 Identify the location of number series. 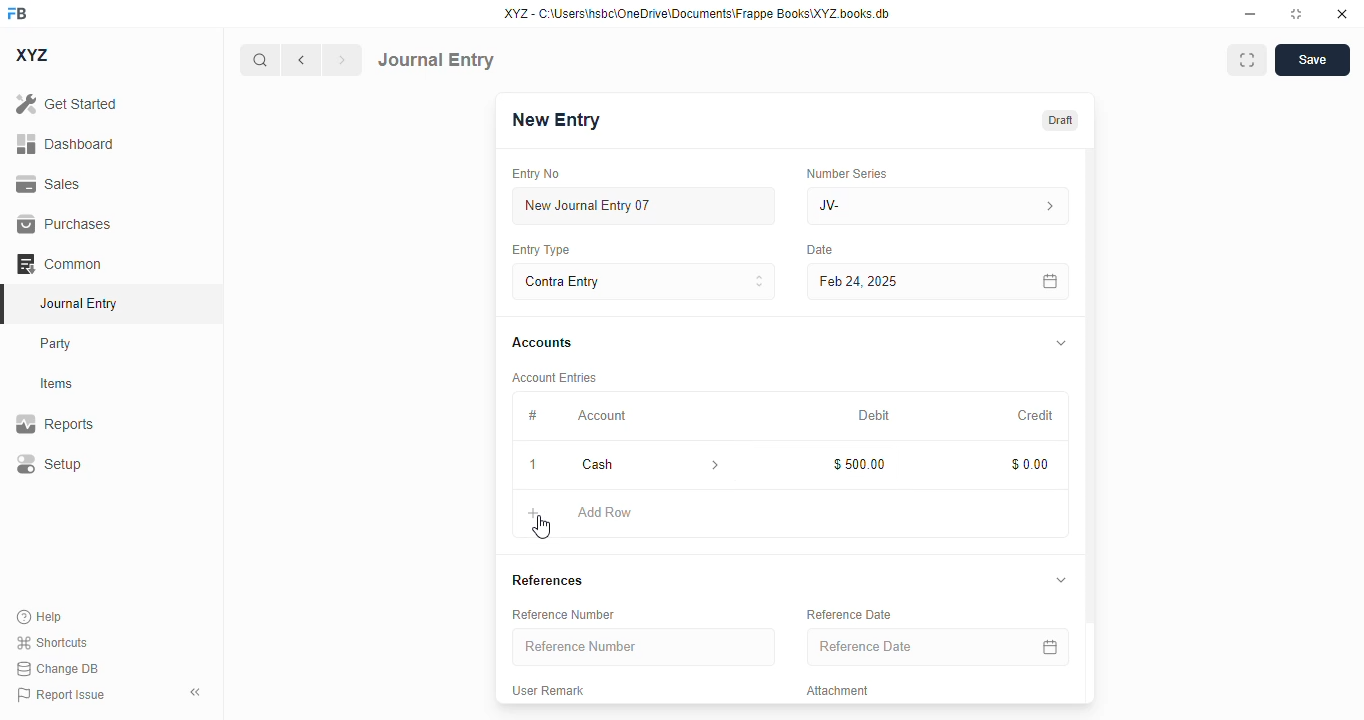
(849, 173).